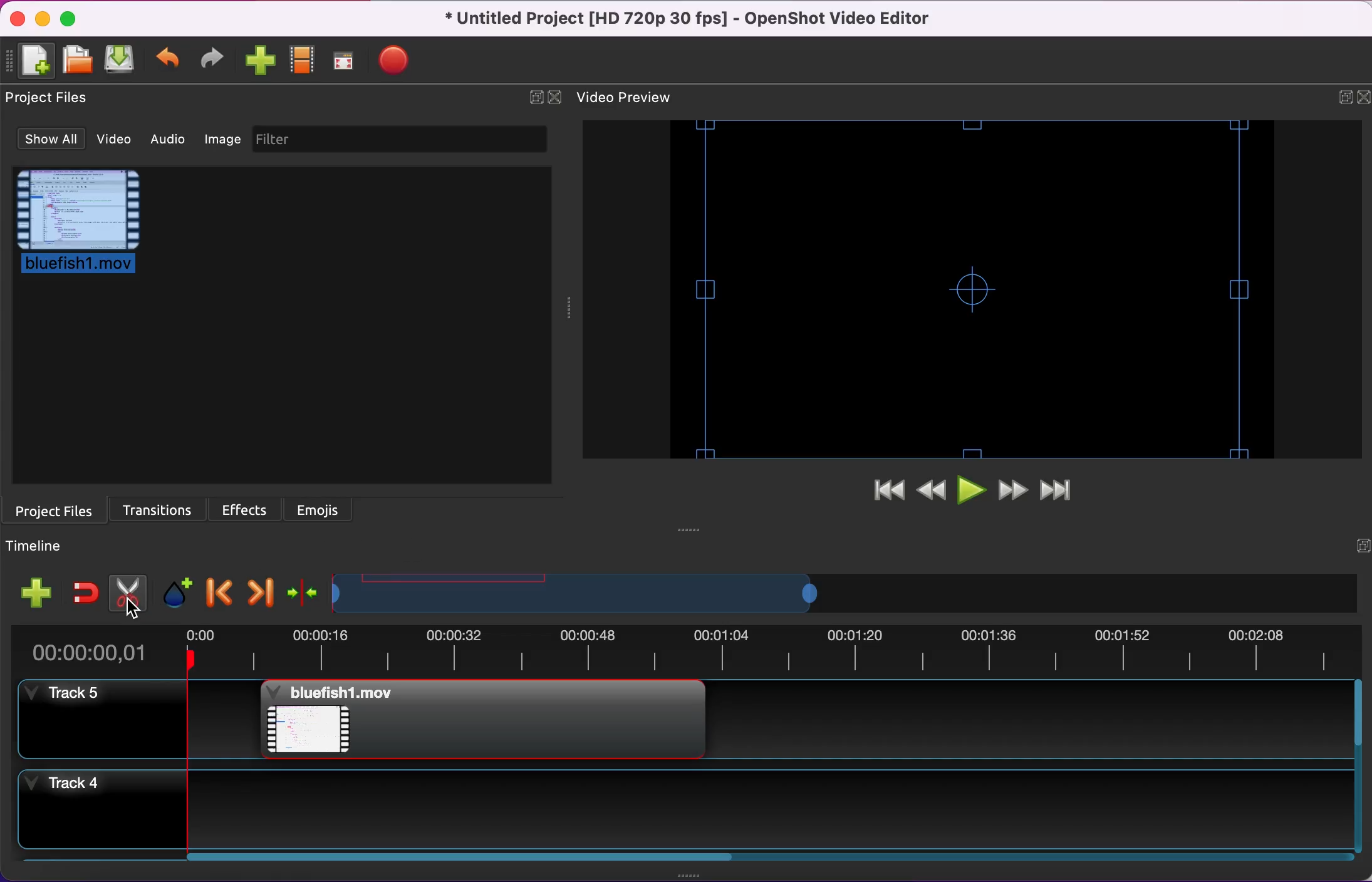 The width and height of the screenshot is (1372, 882). I want to click on video clip, so click(343, 720).